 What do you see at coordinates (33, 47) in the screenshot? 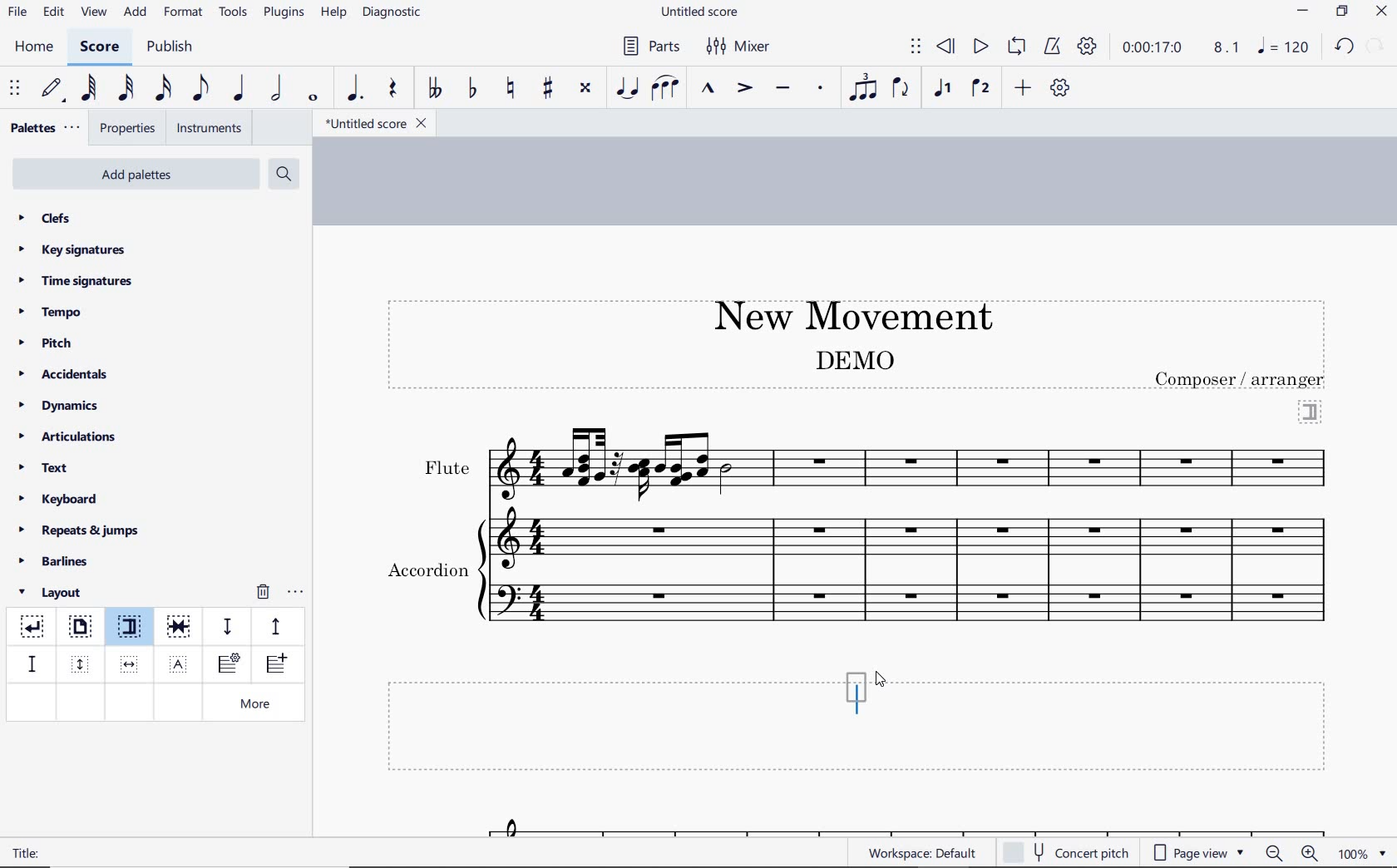
I see `home` at bounding box center [33, 47].